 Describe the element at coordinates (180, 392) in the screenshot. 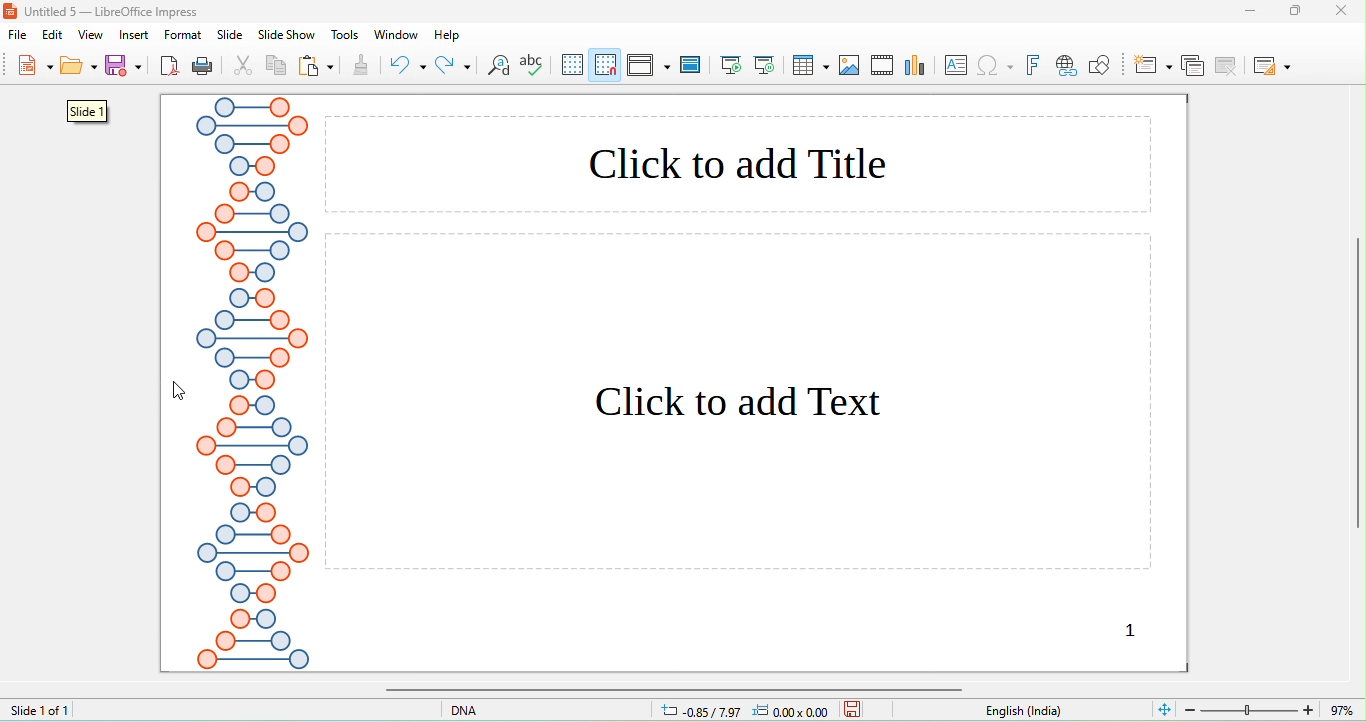

I see `cursor` at that location.